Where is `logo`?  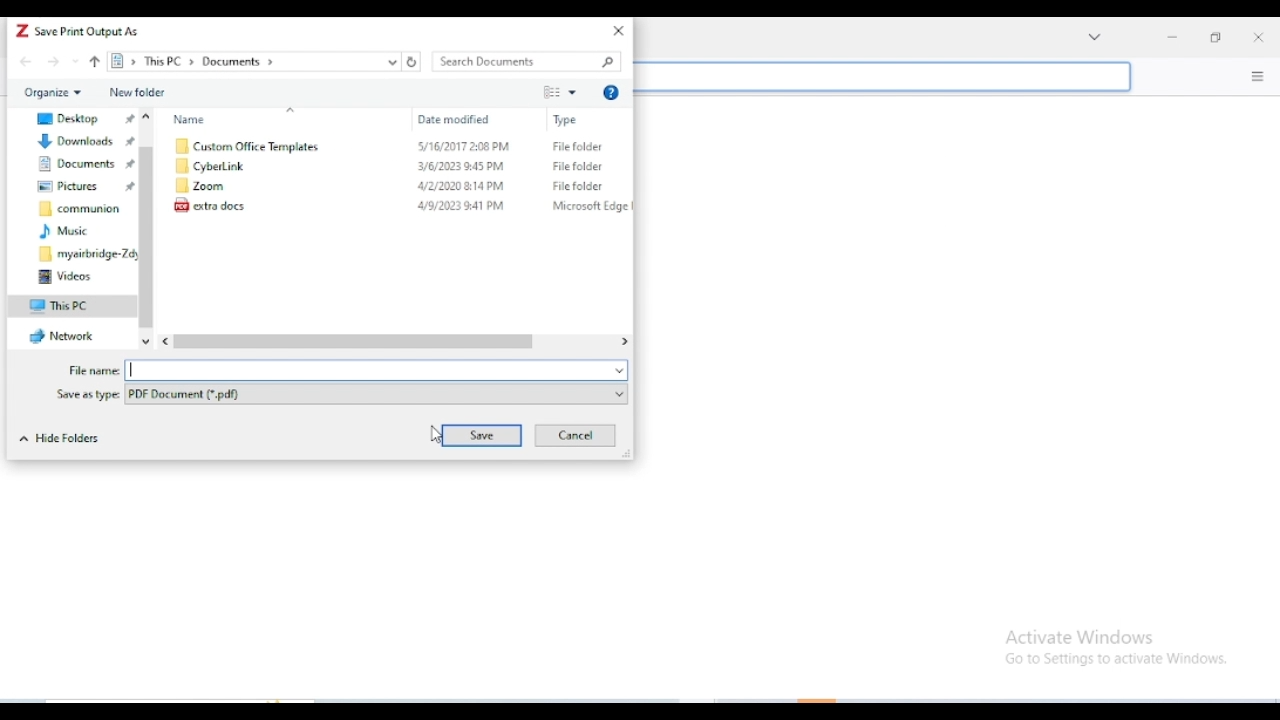
logo is located at coordinates (22, 30).